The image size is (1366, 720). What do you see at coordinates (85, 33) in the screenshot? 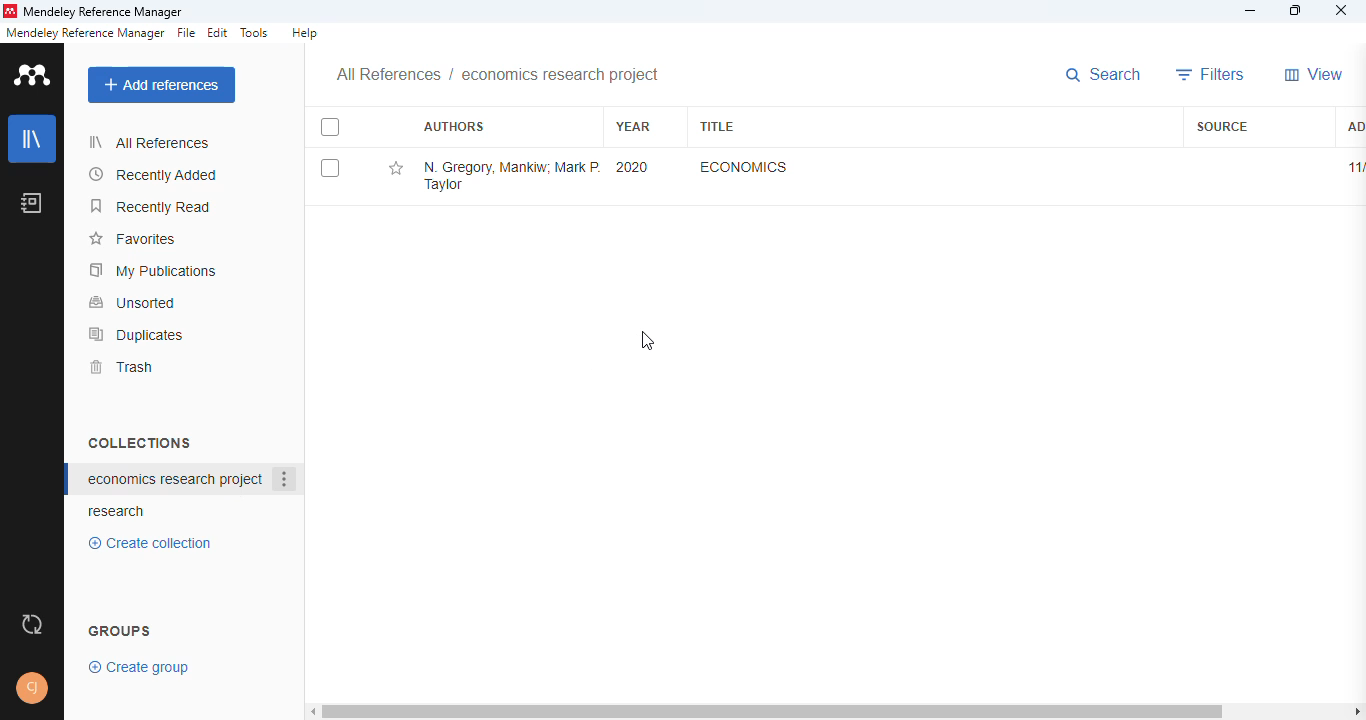
I see `mendeley reference manager` at bounding box center [85, 33].